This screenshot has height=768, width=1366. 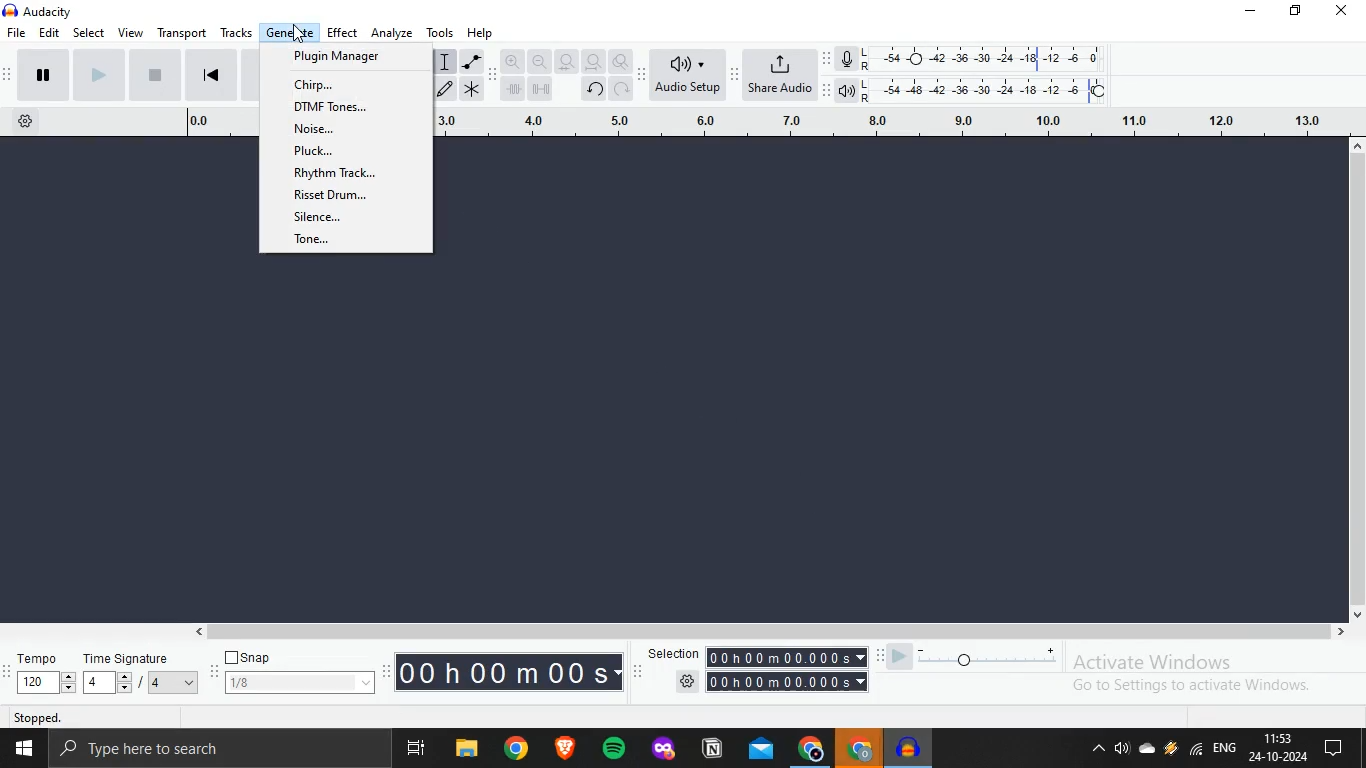 What do you see at coordinates (332, 155) in the screenshot?
I see `pluck..` at bounding box center [332, 155].